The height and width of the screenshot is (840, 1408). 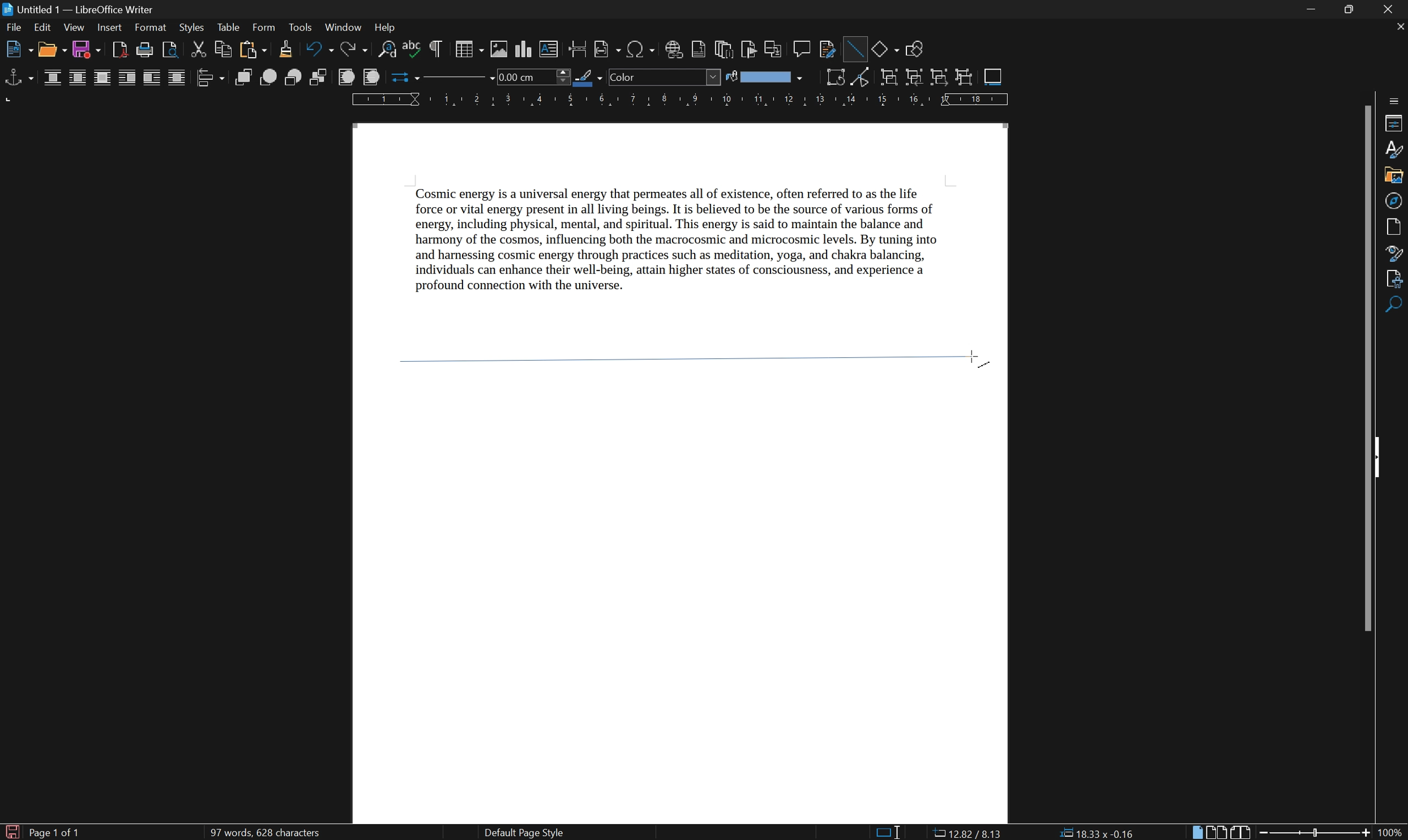 What do you see at coordinates (500, 49) in the screenshot?
I see `insert image` at bounding box center [500, 49].